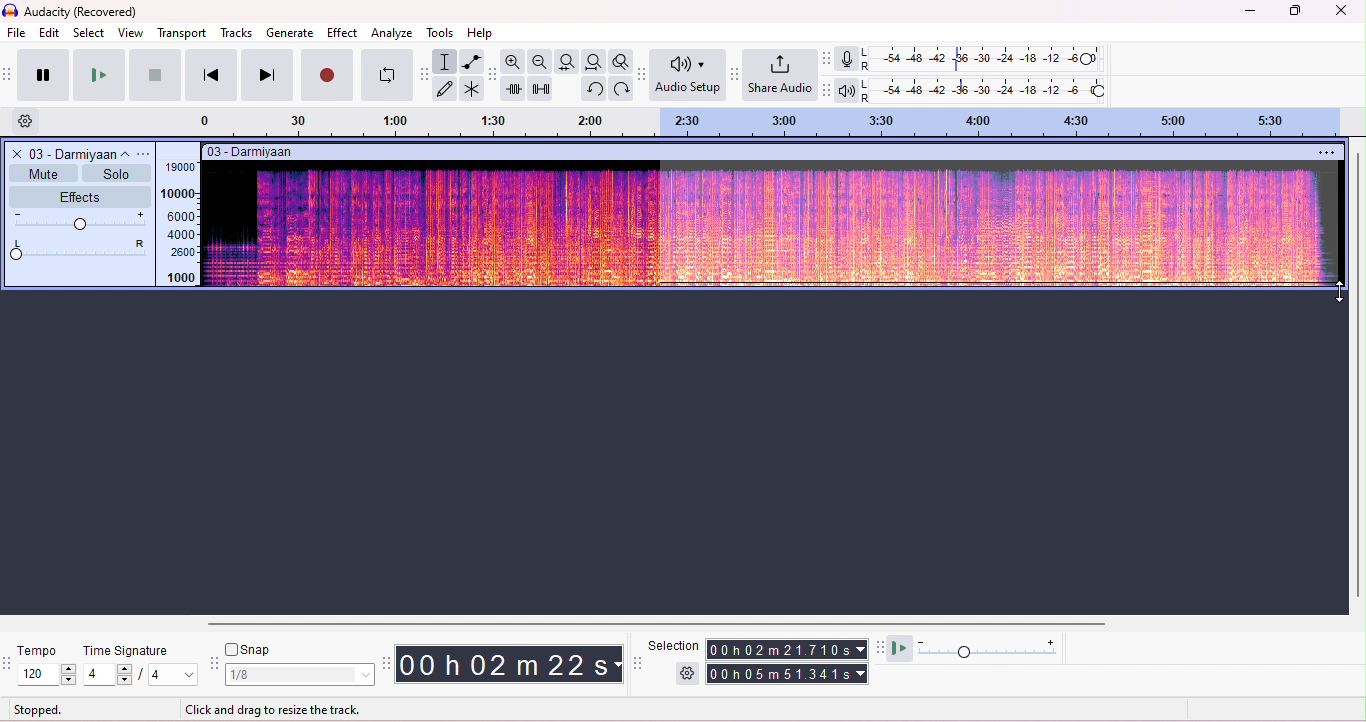 Image resolution: width=1366 pixels, height=722 pixels. What do you see at coordinates (674, 646) in the screenshot?
I see `selection` at bounding box center [674, 646].